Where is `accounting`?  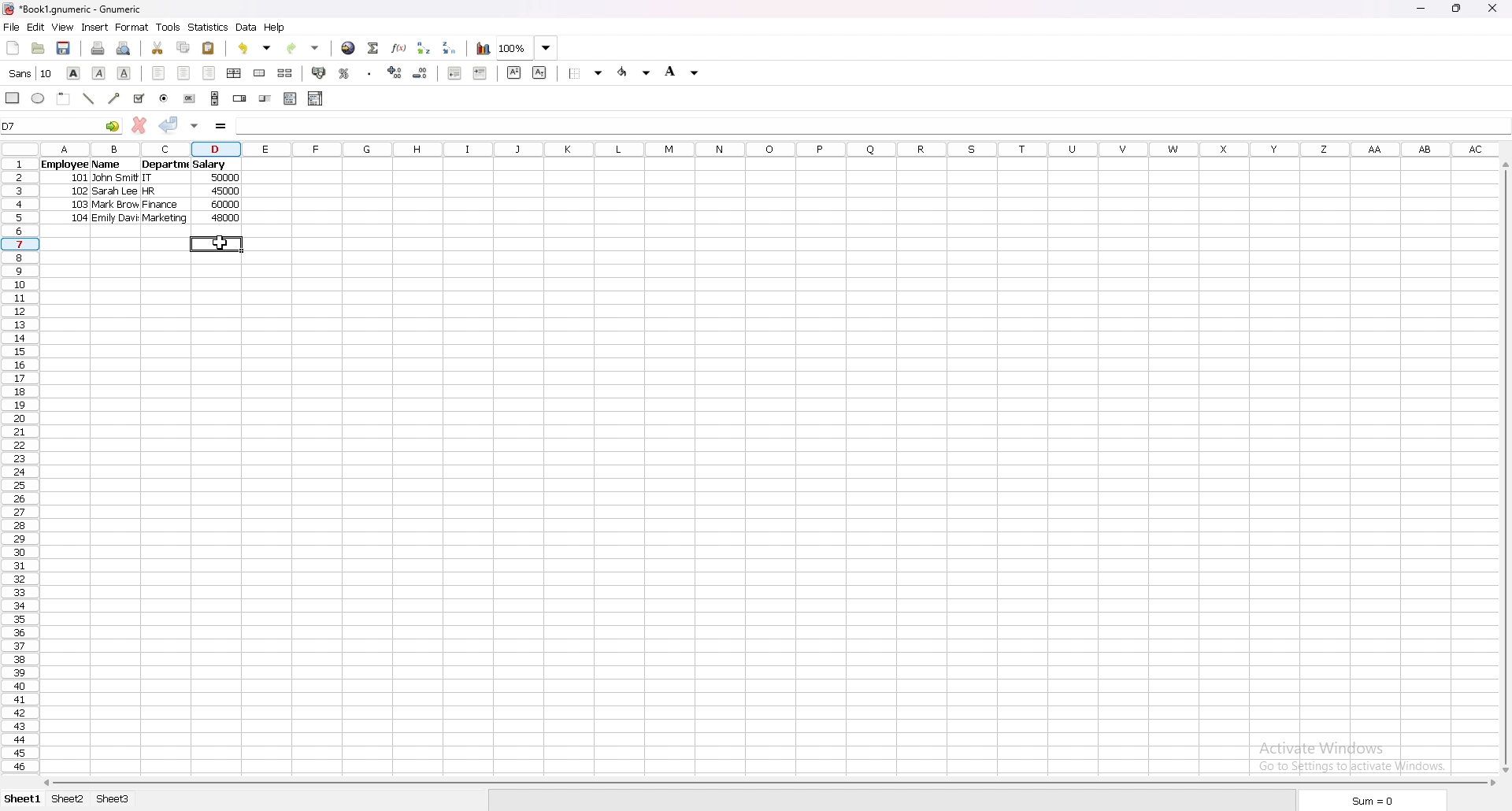 accounting is located at coordinates (320, 72).